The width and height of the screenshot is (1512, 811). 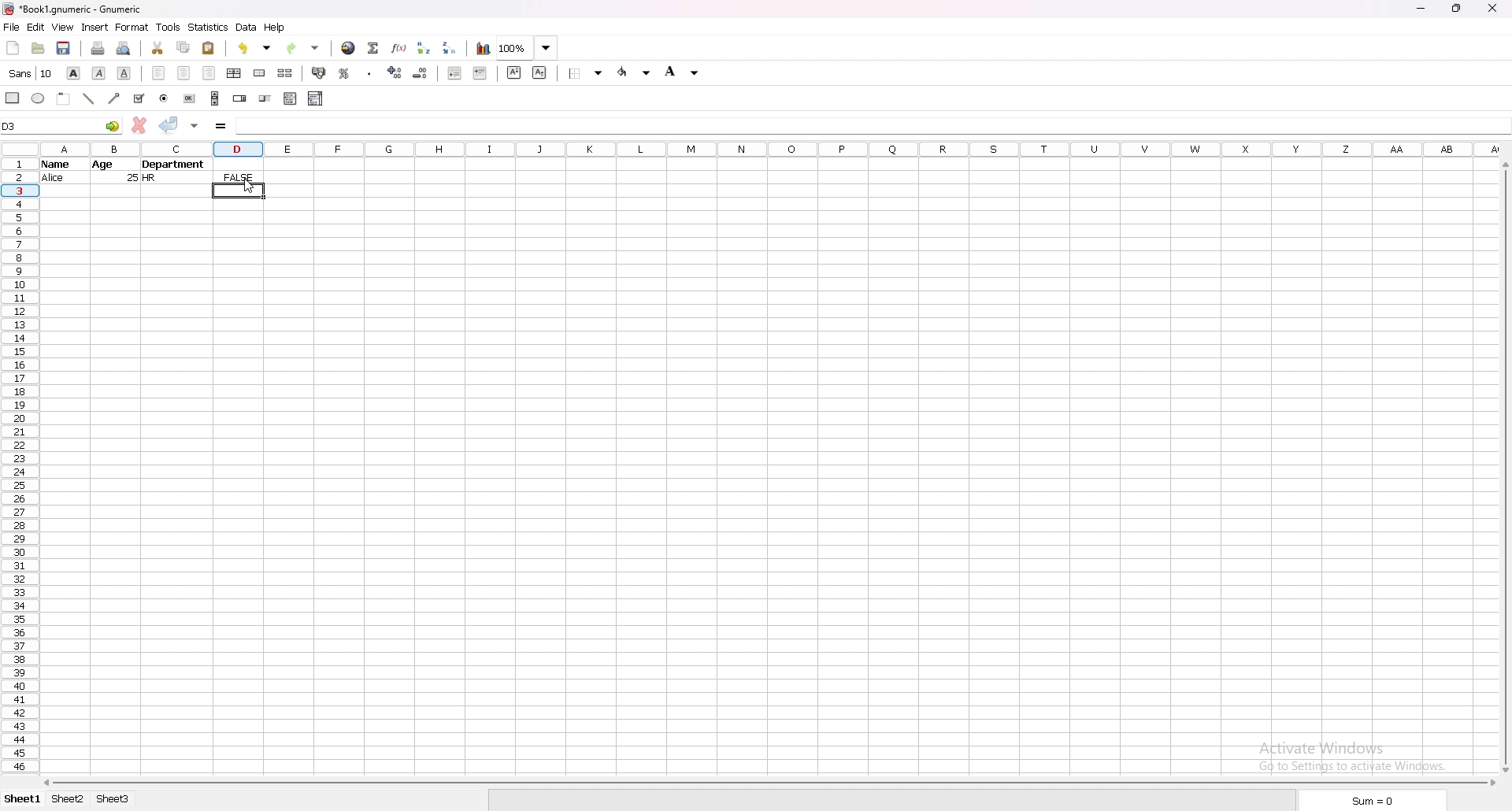 What do you see at coordinates (209, 72) in the screenshot?
I see `right align` at bounding box center [209, 72].